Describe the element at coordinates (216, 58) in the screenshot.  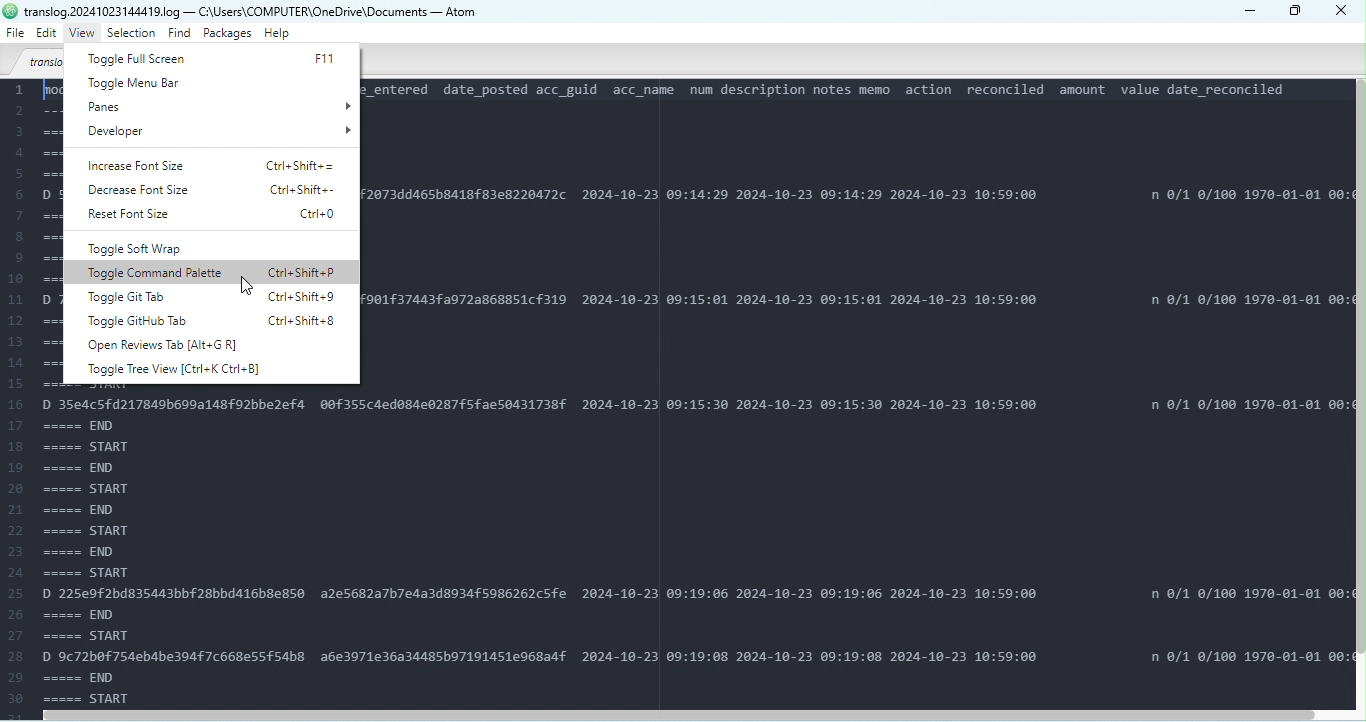
I see `Toggle full screen` at that location.